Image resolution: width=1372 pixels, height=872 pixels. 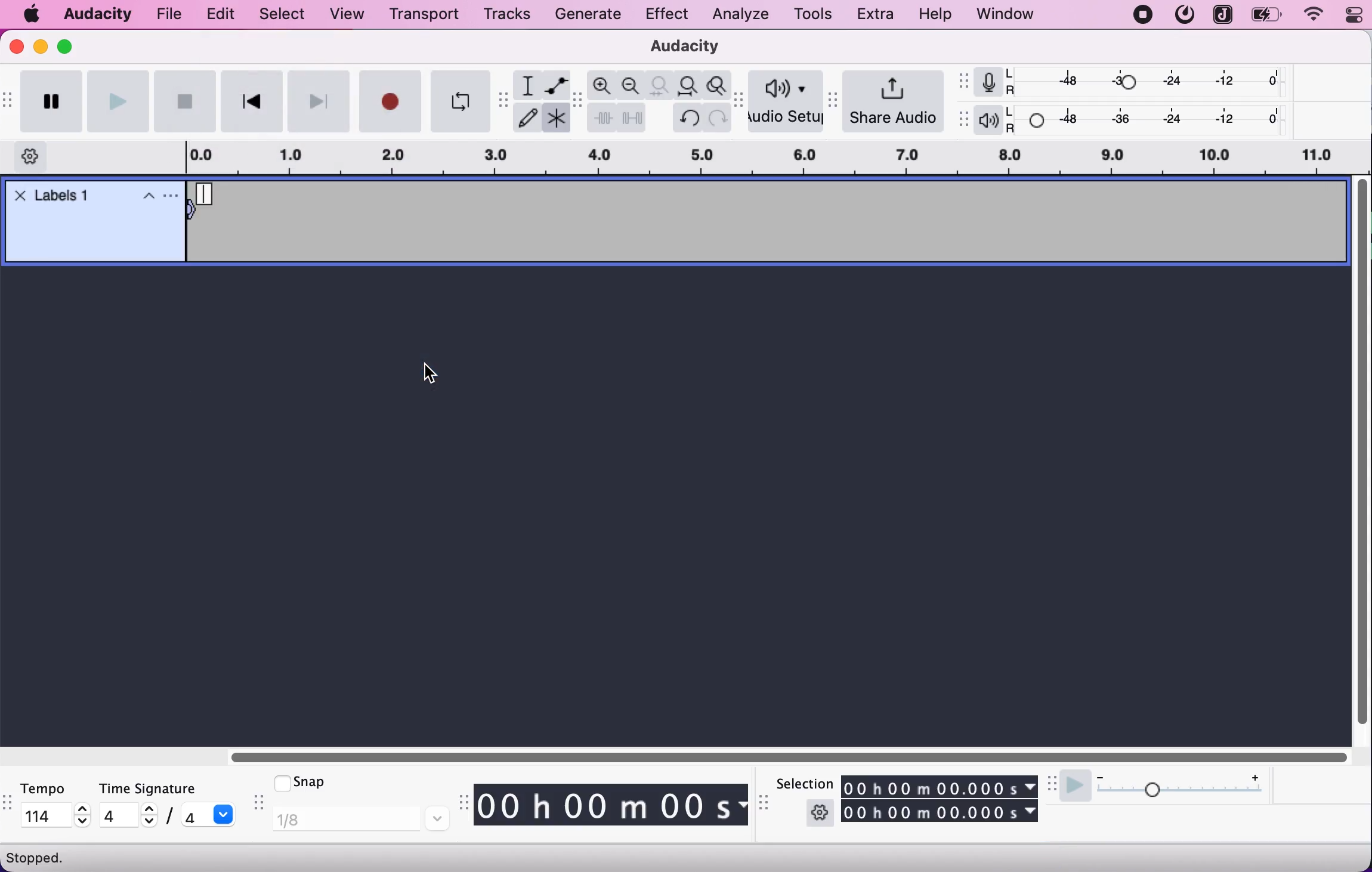 I want to click on enable looping, so click(x=459, y=101).